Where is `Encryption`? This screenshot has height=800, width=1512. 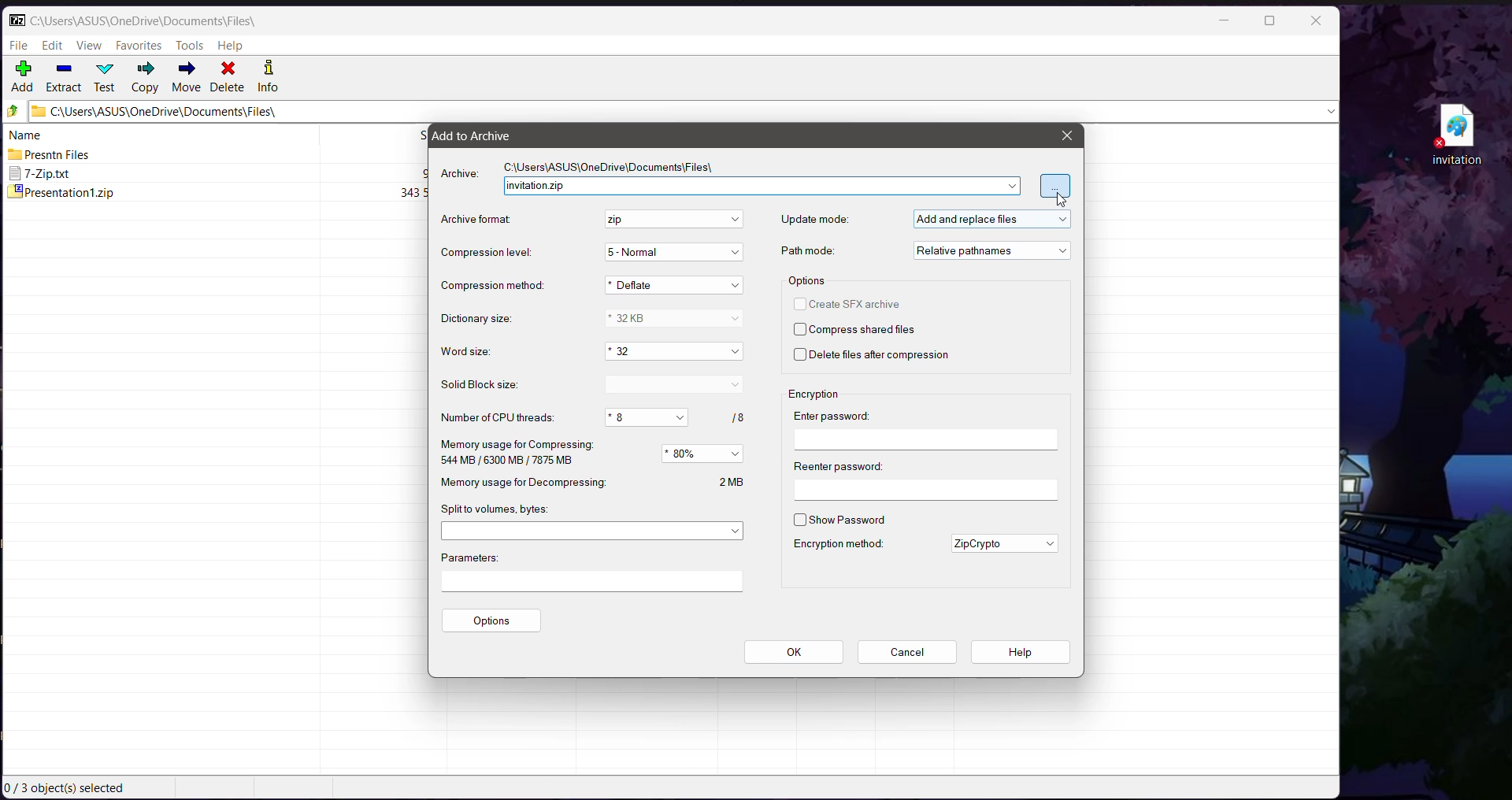
Encryption is located at coordinates (821, 393).